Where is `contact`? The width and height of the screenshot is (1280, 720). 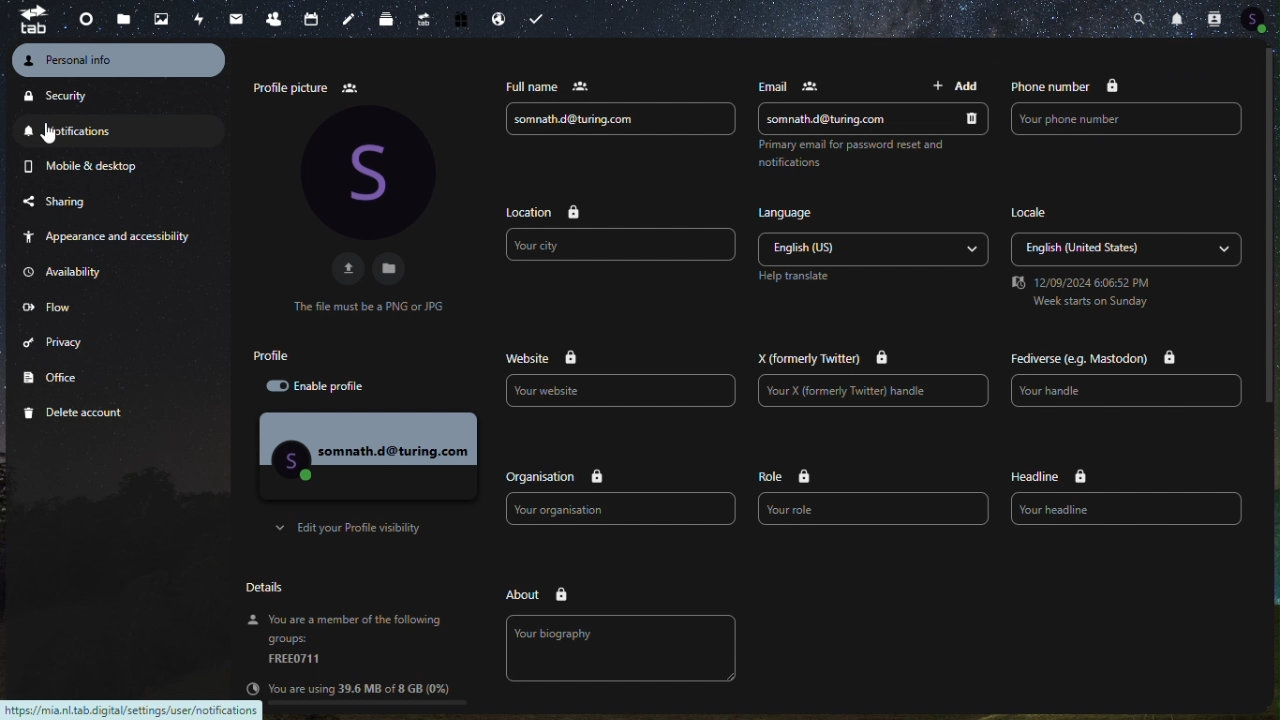
contact is located at coordinates (1215, 19).